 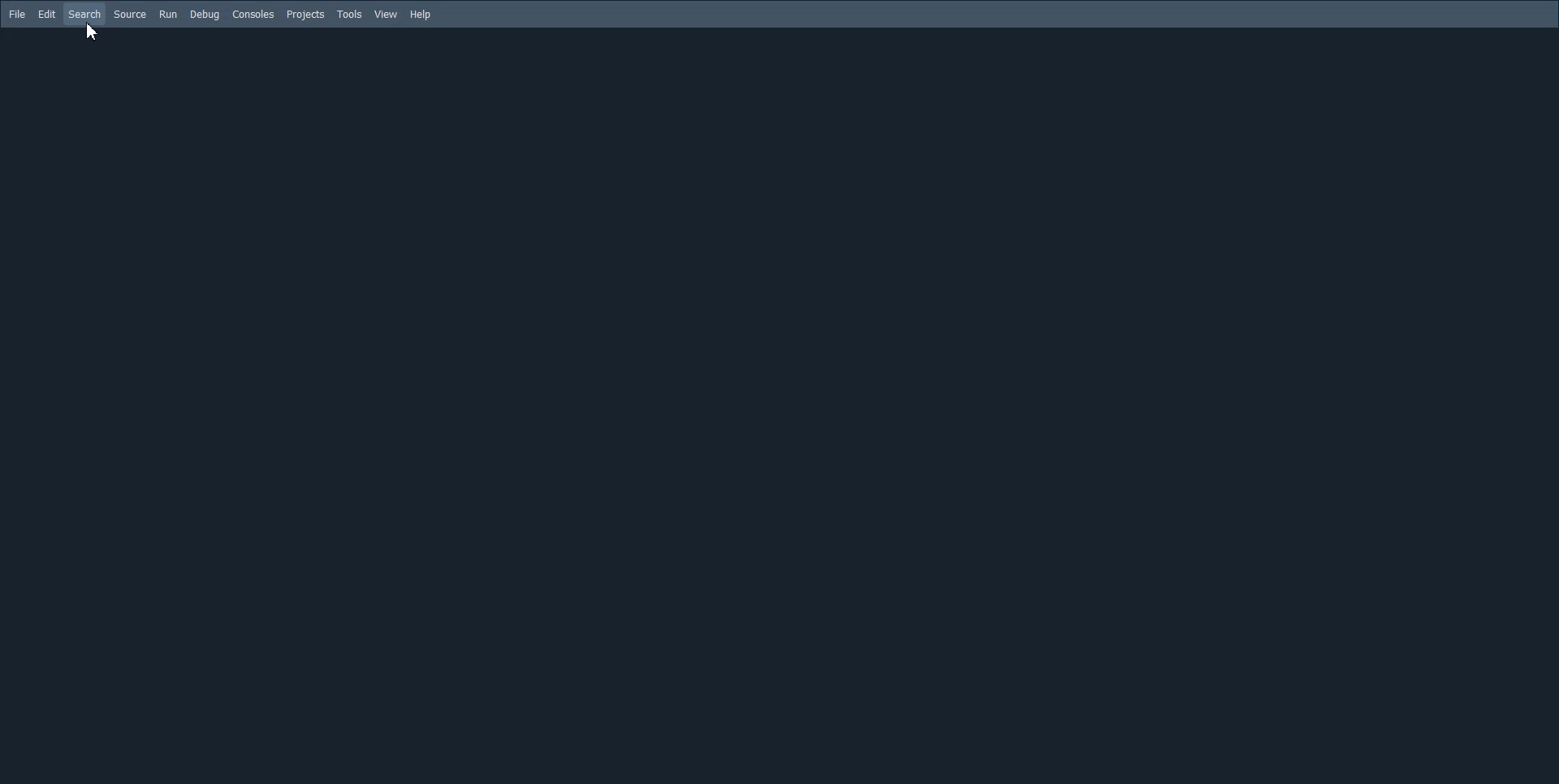 I want to click on View, so click(x=386, y=13).